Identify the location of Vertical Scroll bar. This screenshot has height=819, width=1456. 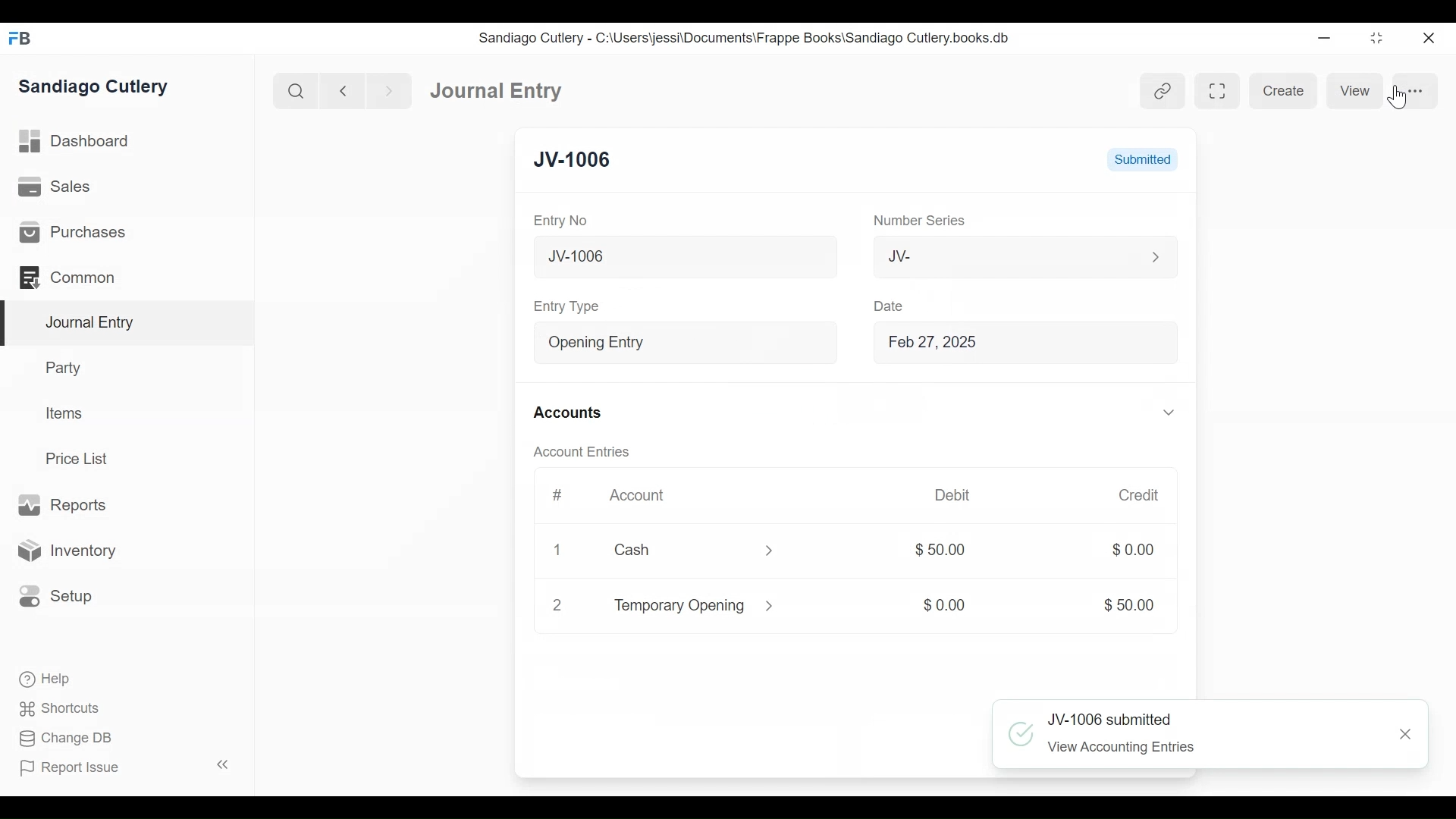
(1193, 435).